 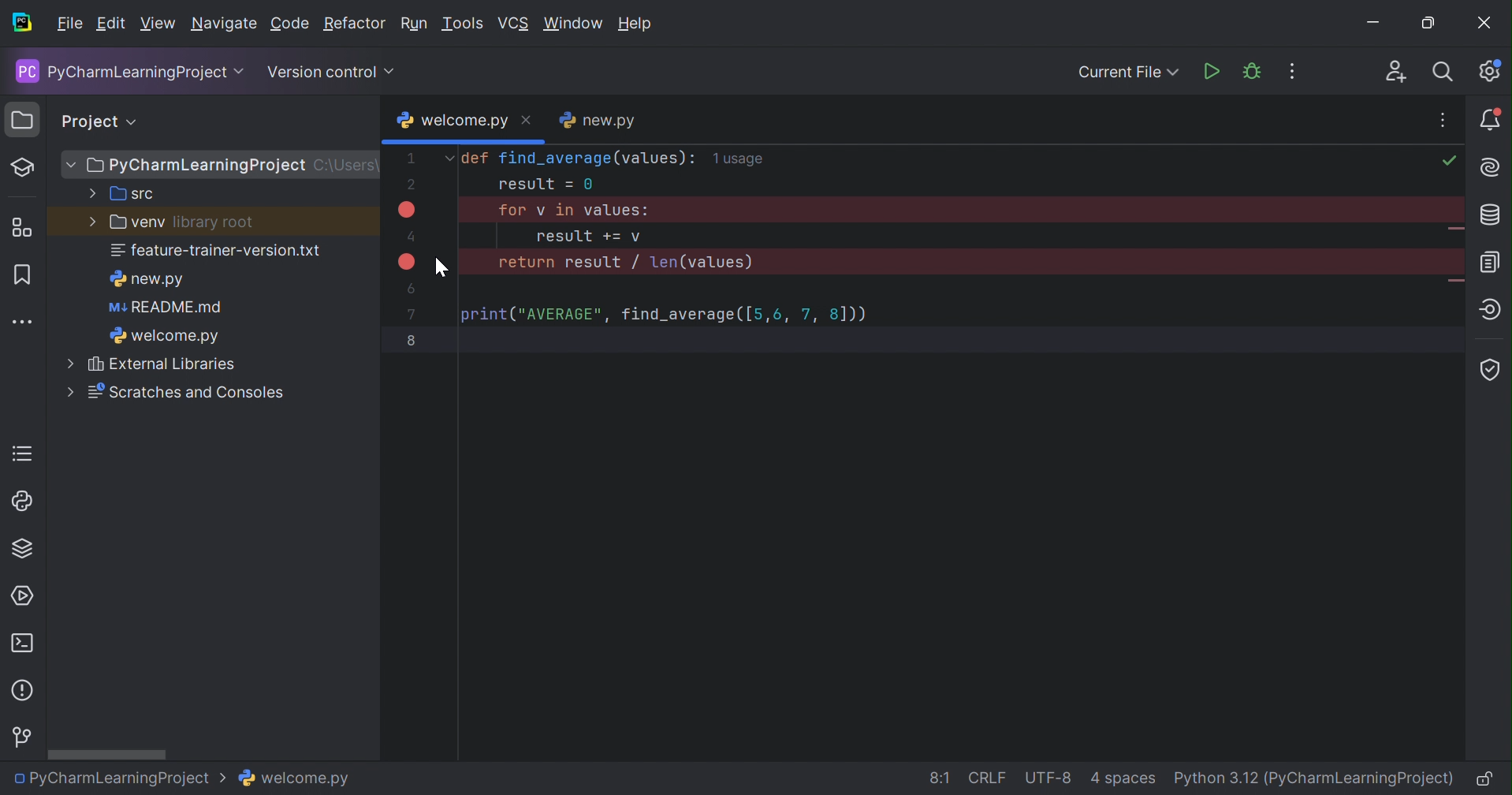 I want to click on PyCharmLearningProject, so click(x=188, y=166).